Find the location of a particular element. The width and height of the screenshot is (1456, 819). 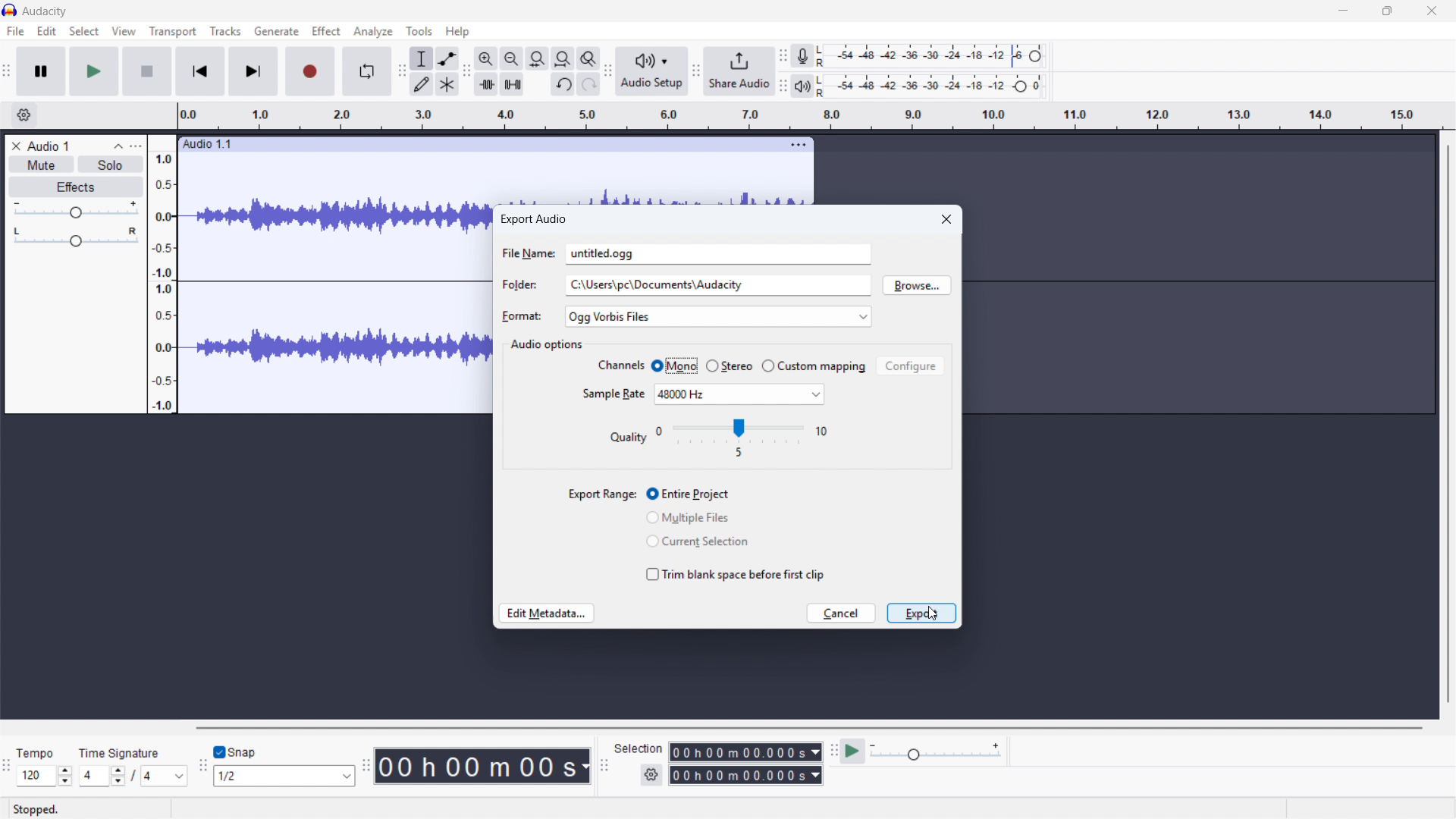

Remove track  is located at coordinates (17, 146).